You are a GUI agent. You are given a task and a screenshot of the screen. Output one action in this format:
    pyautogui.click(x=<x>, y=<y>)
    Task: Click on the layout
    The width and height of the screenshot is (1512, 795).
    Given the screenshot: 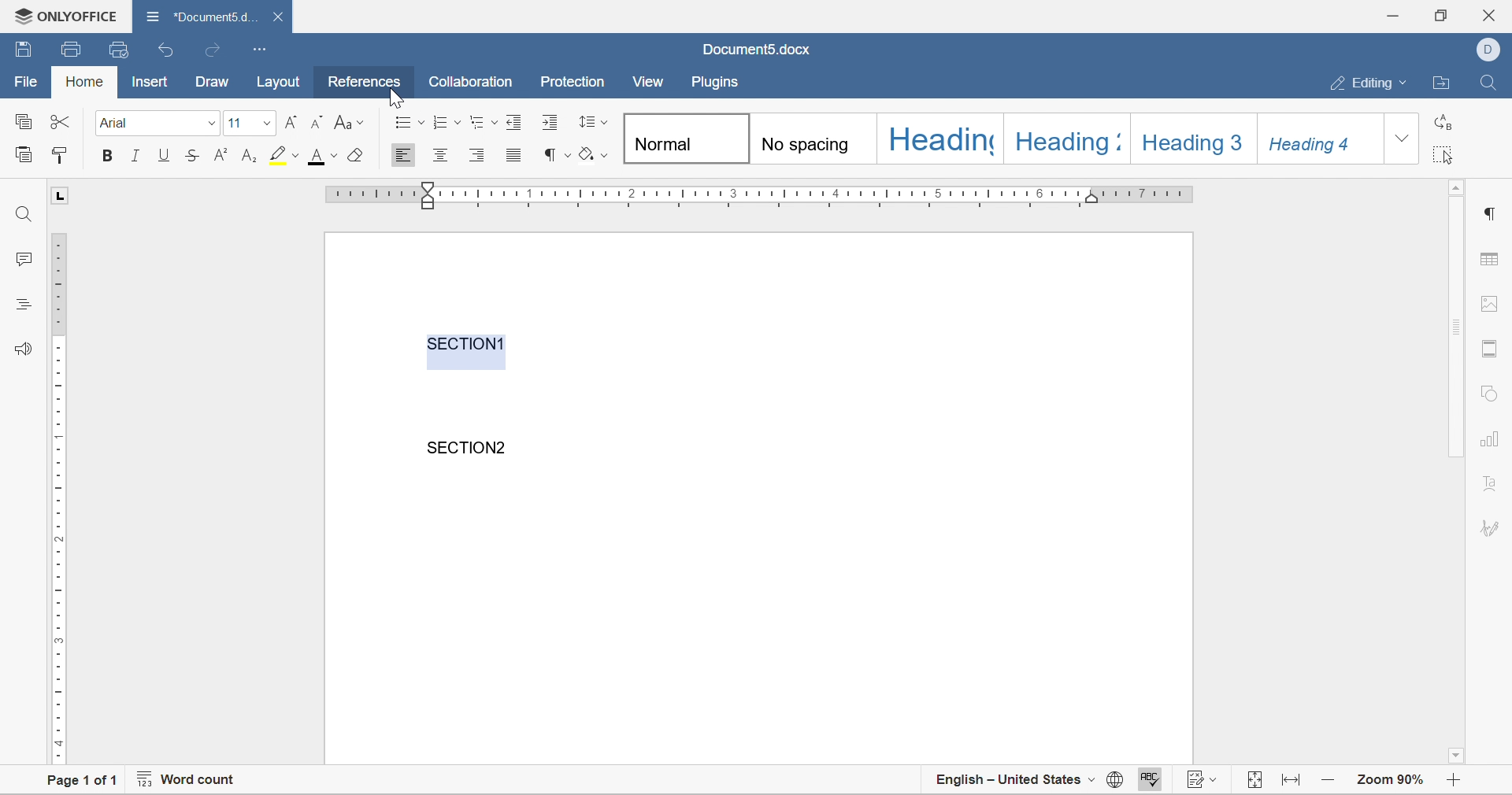 What is the action you would take?
    pyautogui.click(x=283, y=82)
    